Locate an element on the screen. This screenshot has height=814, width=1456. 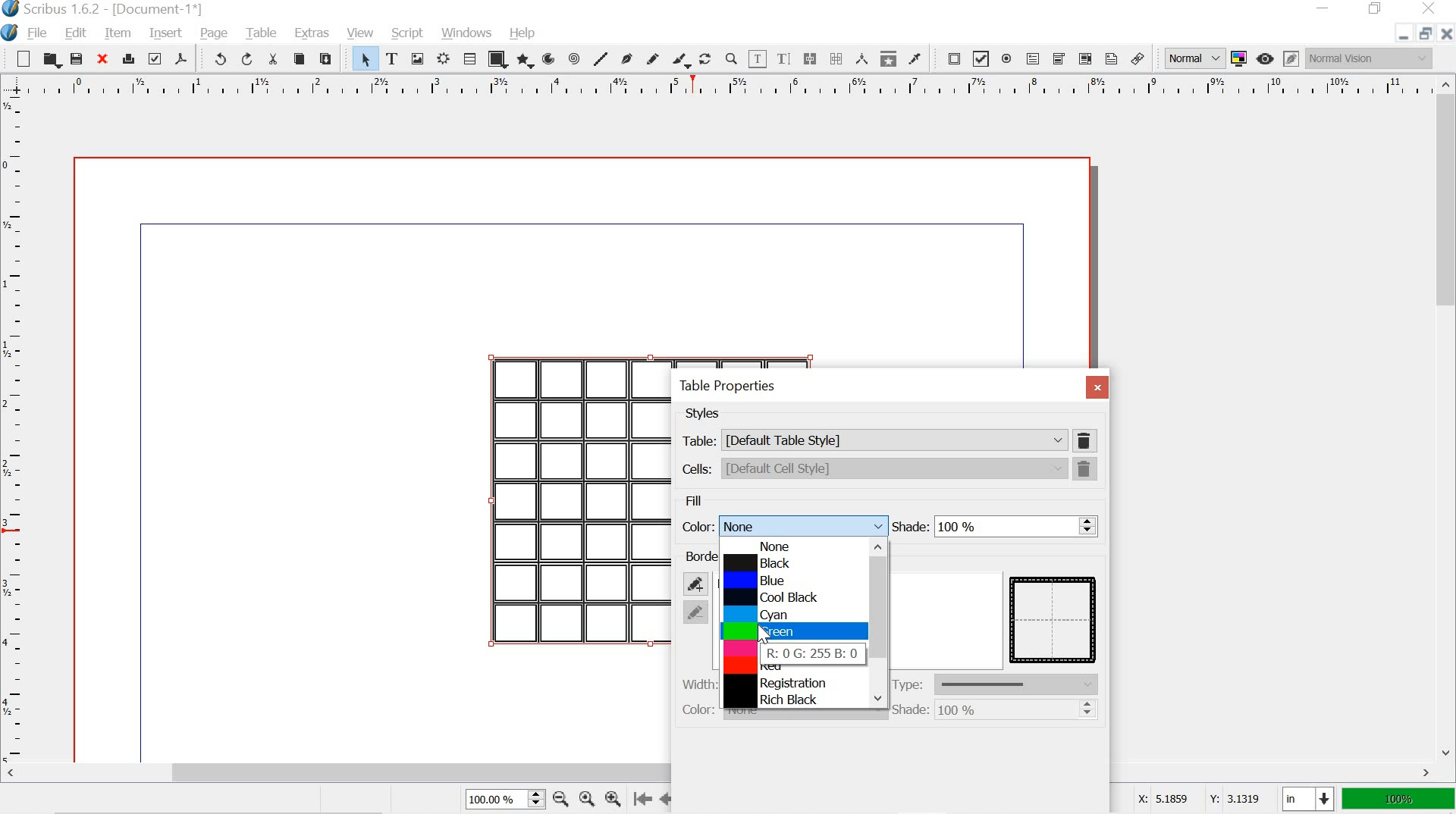
table is located at coordinates (261, 32).